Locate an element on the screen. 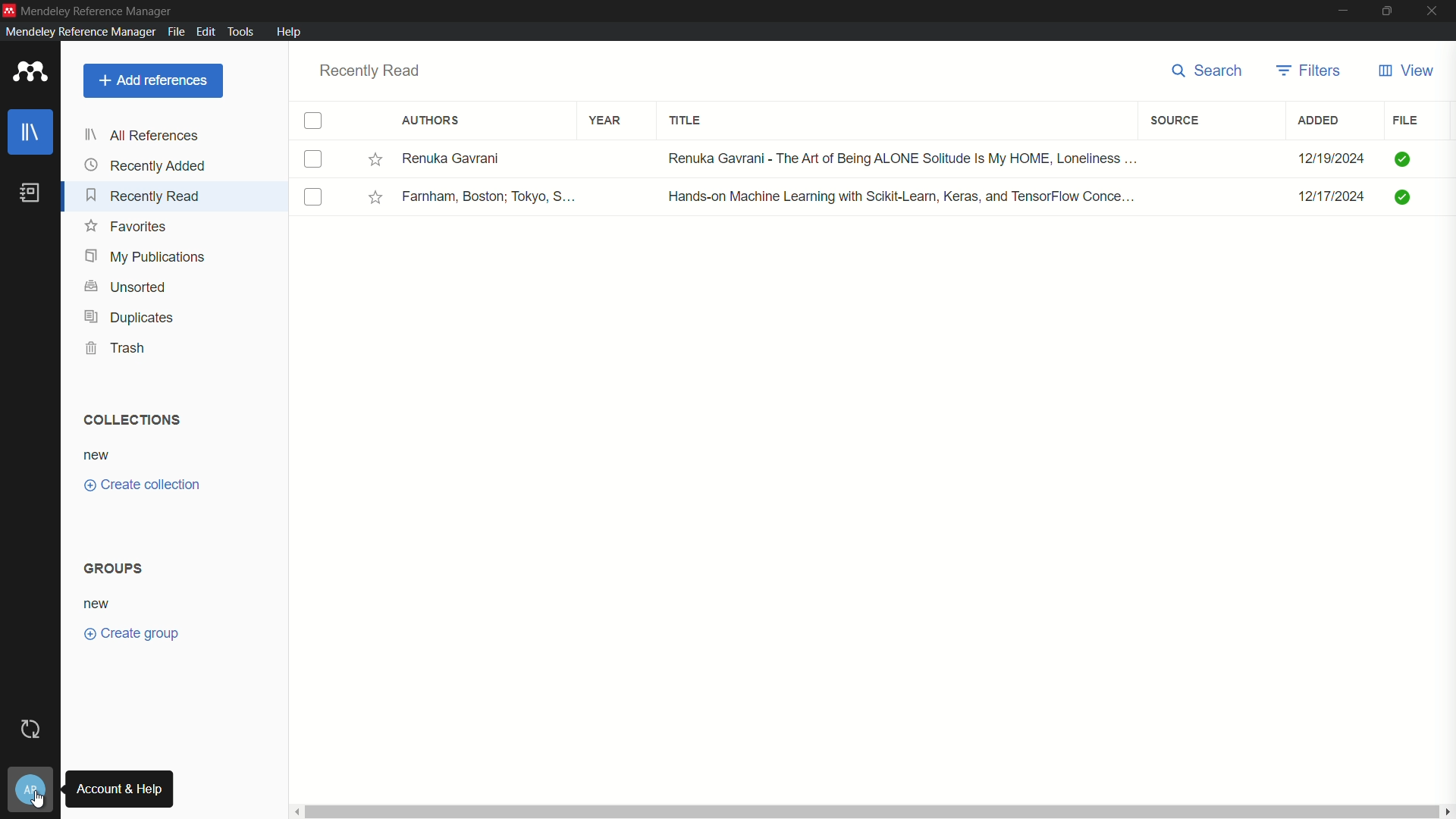 The width and height of the screenshot is (1456, 819). collections is located at coordinates (130, 419).